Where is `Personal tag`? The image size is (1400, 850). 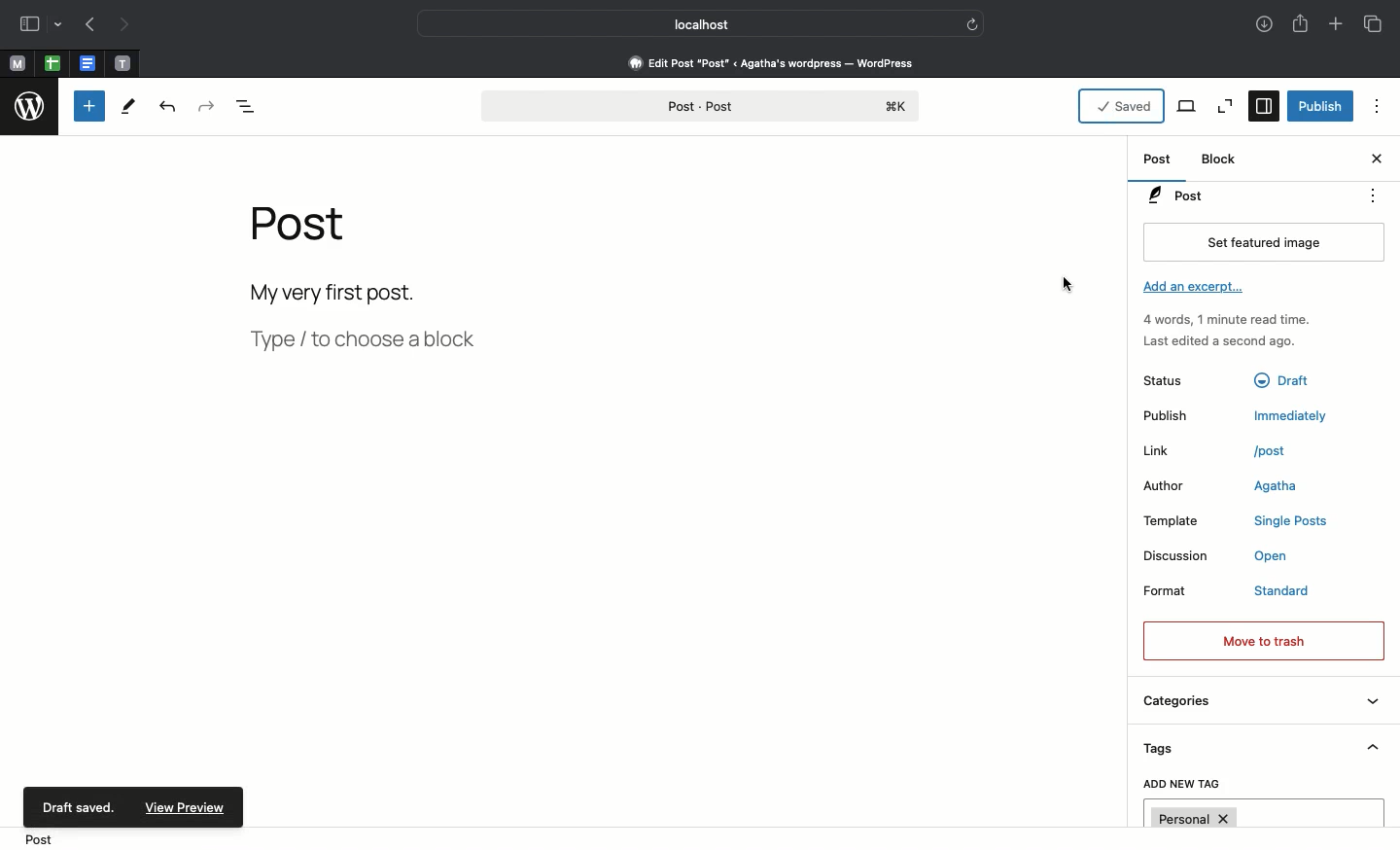 Personal tag is located at coordinates (1264, 813).